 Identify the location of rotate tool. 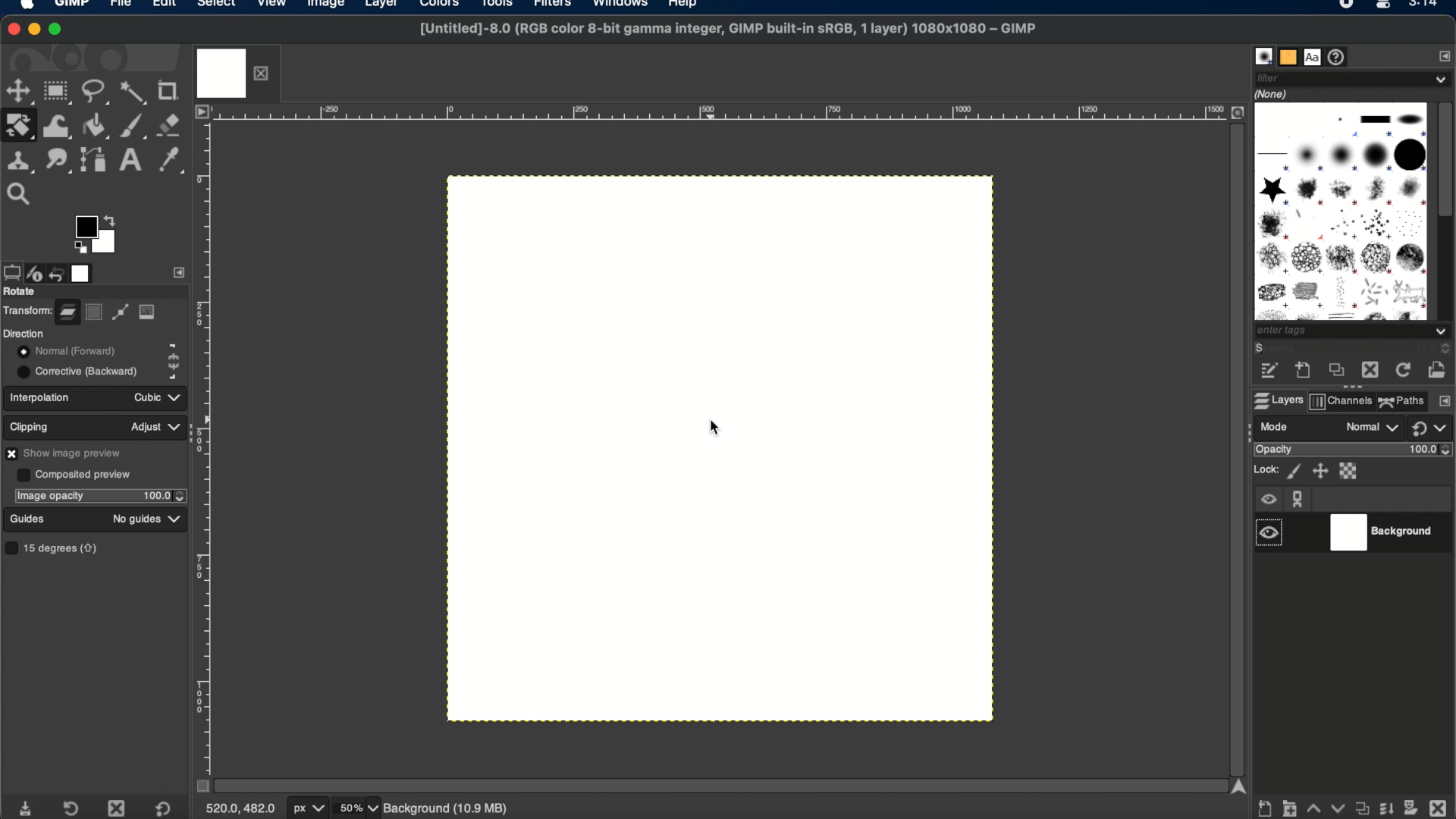
(20, 125).